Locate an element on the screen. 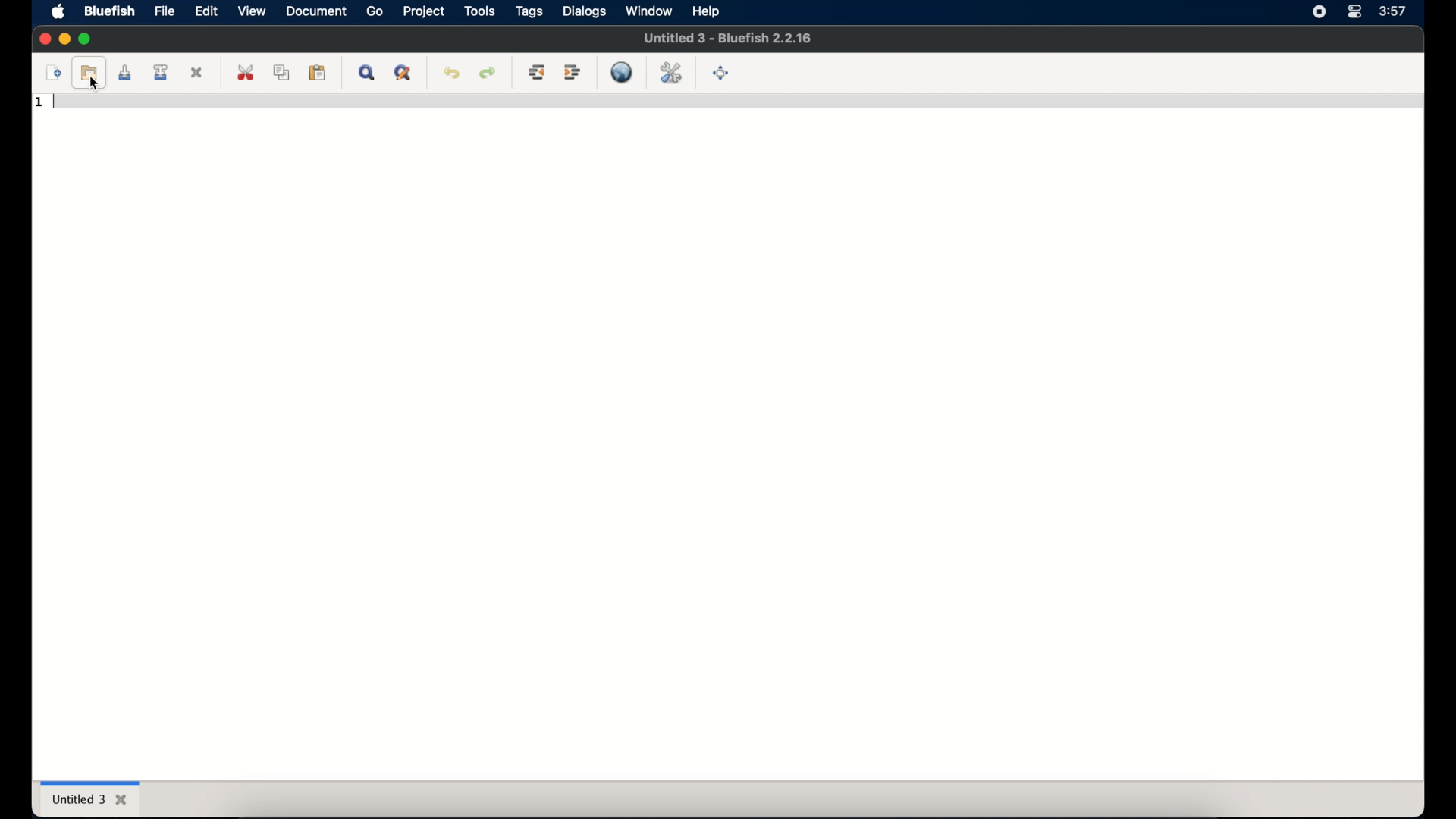  cursor is located at coordinates (93, 82).